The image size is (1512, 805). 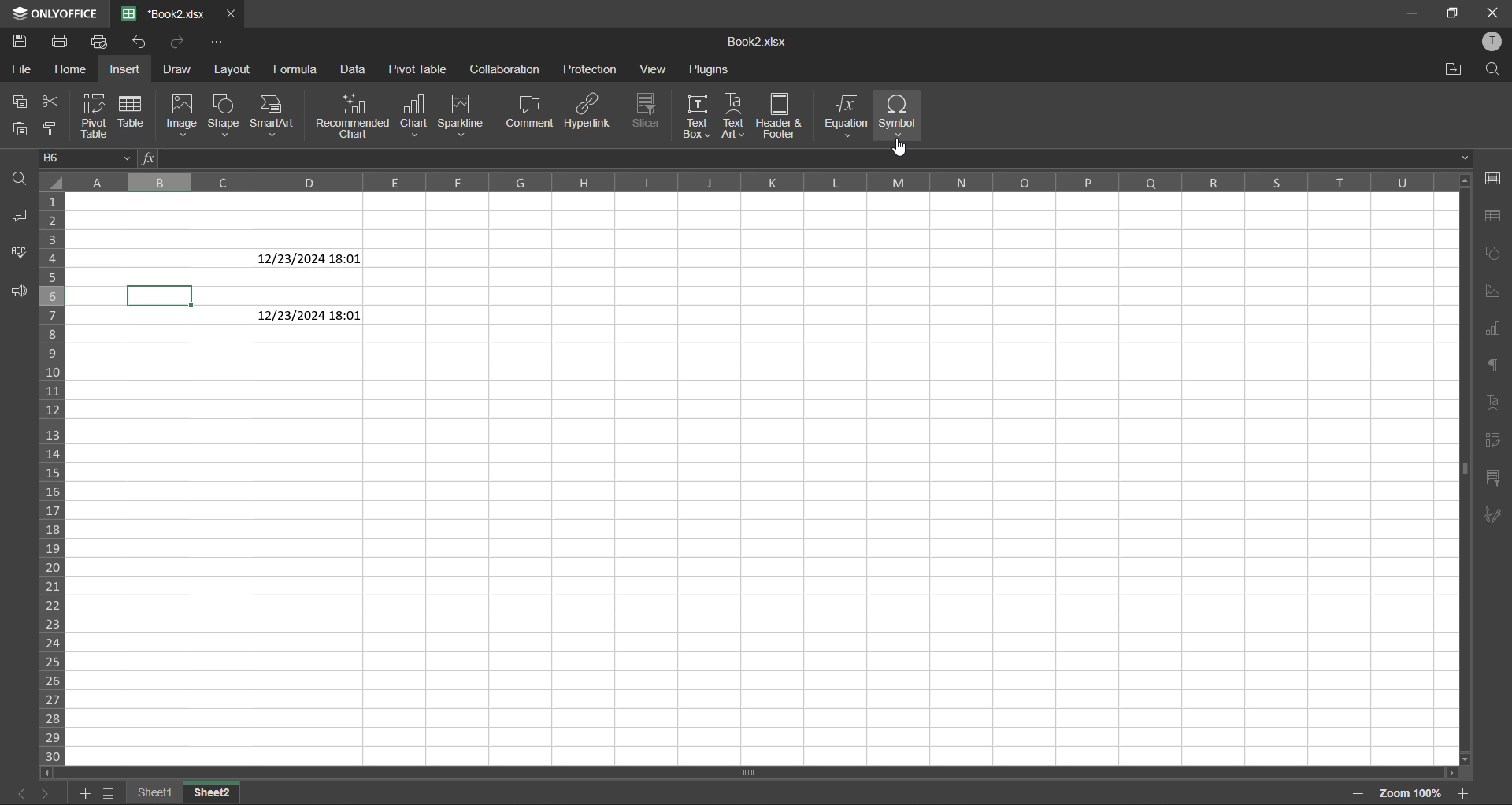 I want to click on zoom in, so click(x=1355, y=791).